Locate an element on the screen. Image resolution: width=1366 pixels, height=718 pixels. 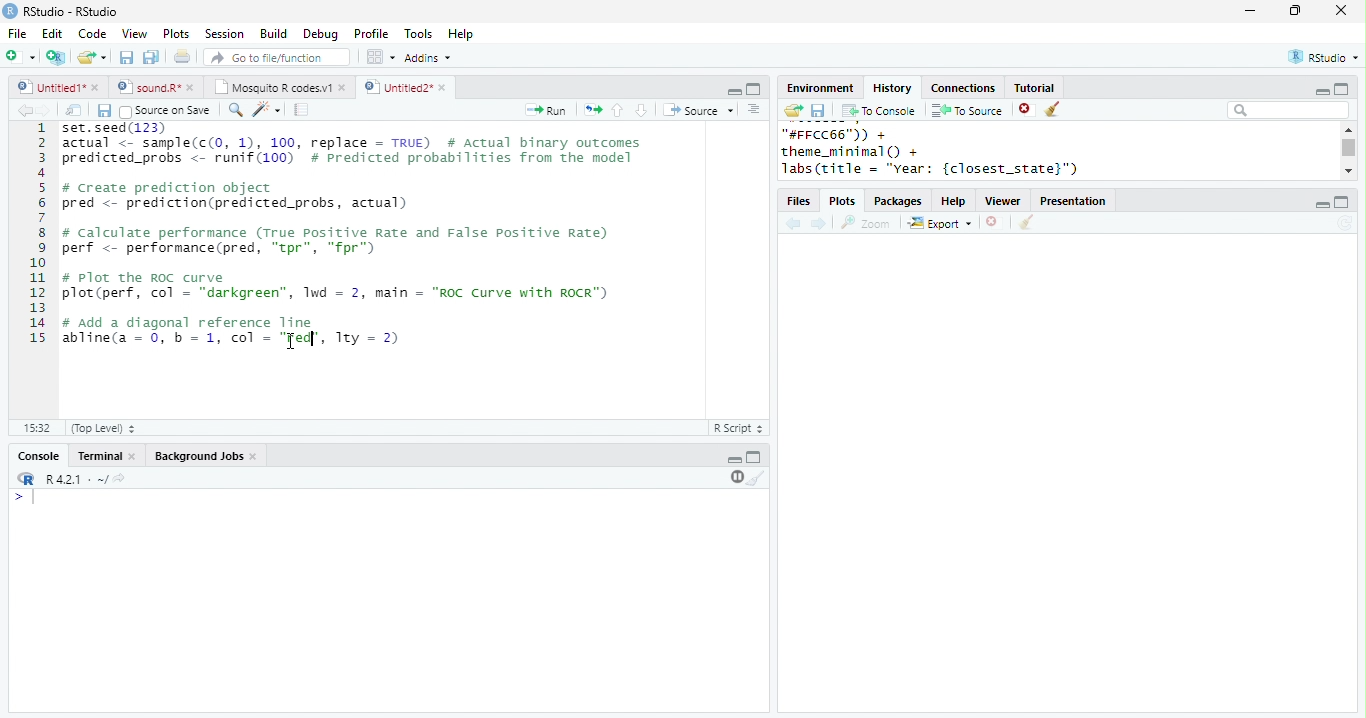
# Add a diagonal reference line
abline(a = 0, b = 1, col = "red", Try = 2) is located at coordinates (234, 330).